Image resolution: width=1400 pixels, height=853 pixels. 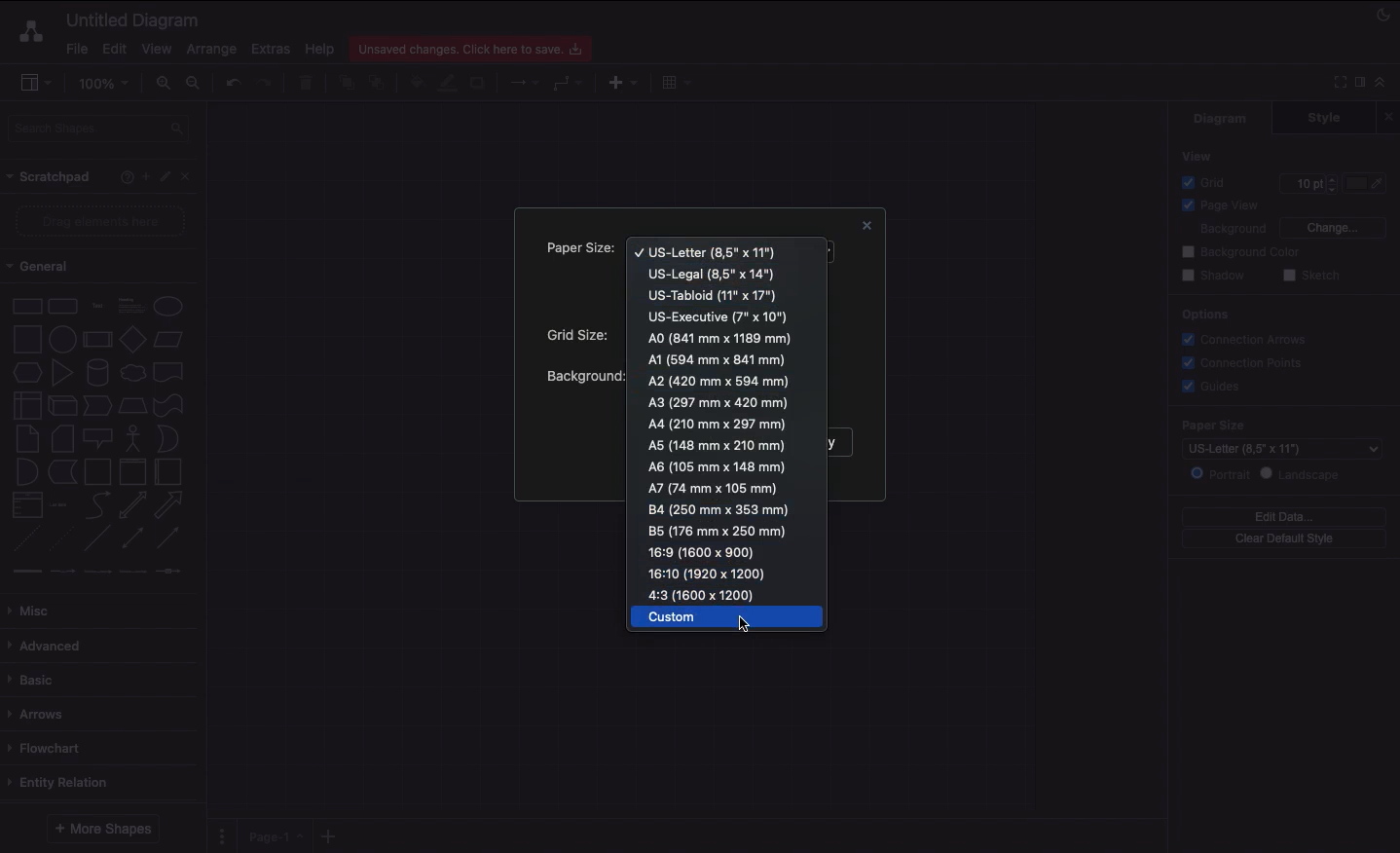 I want to click on Card, so click(x=62, y=438).